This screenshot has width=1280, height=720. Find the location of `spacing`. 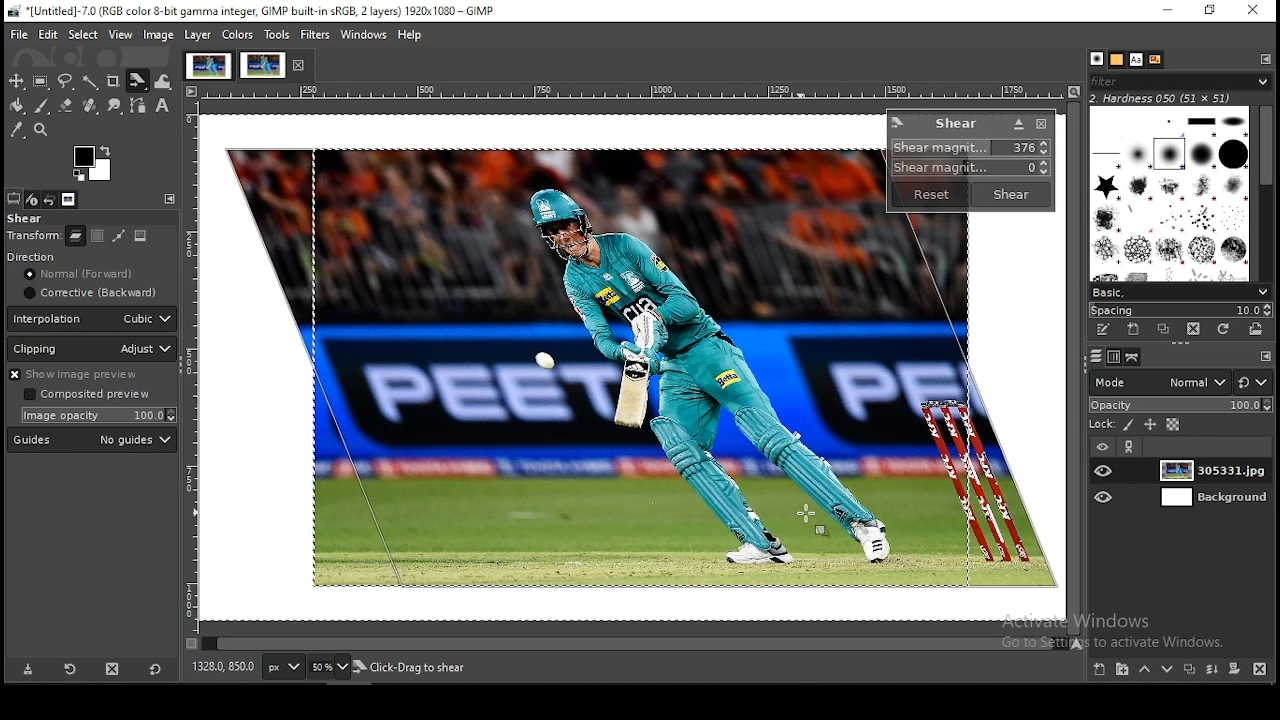

spacing is located at coordinates (1184, 310).